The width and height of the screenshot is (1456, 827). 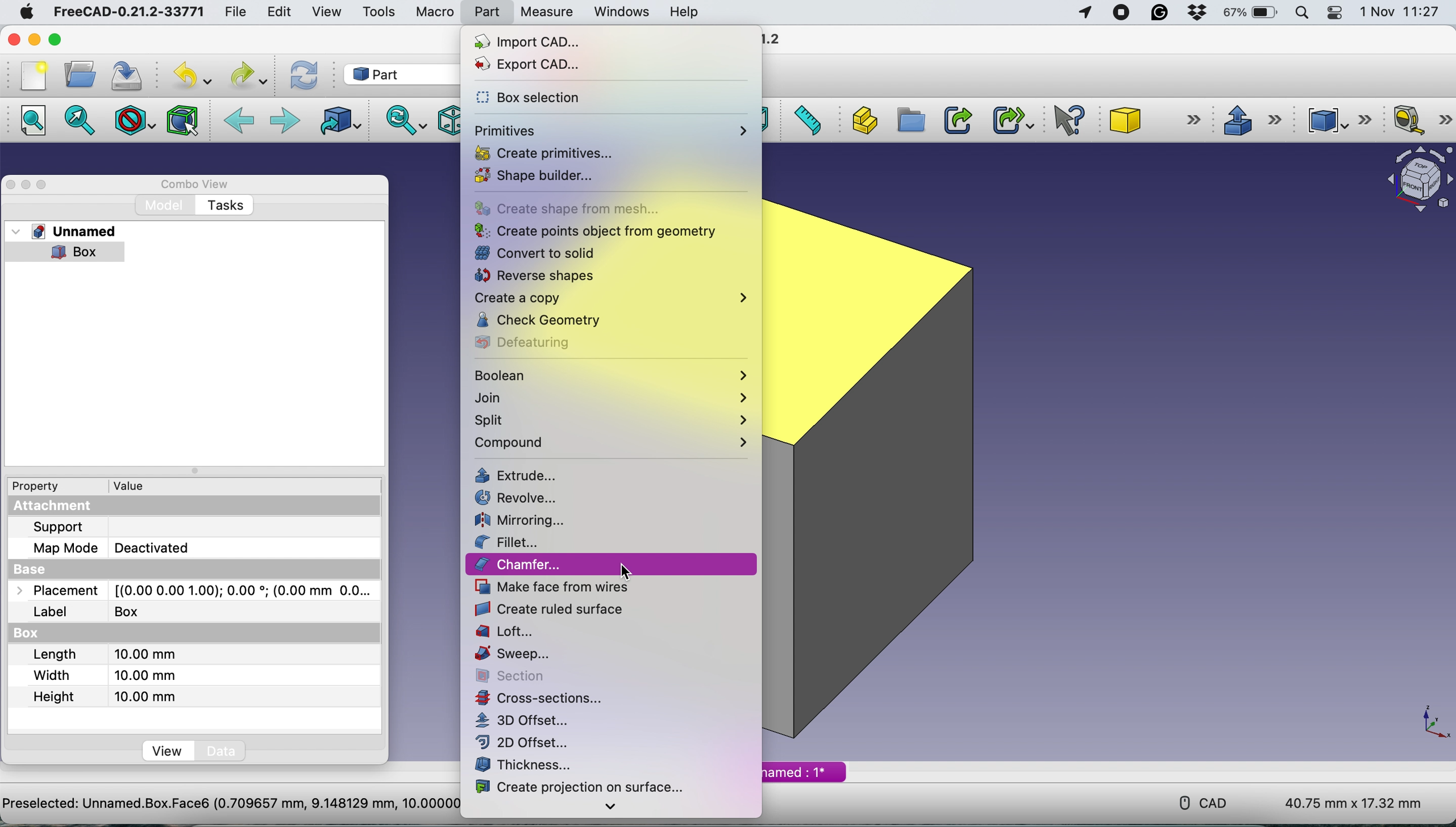 I want to click on grammarly, so click(x=1160, y=13).